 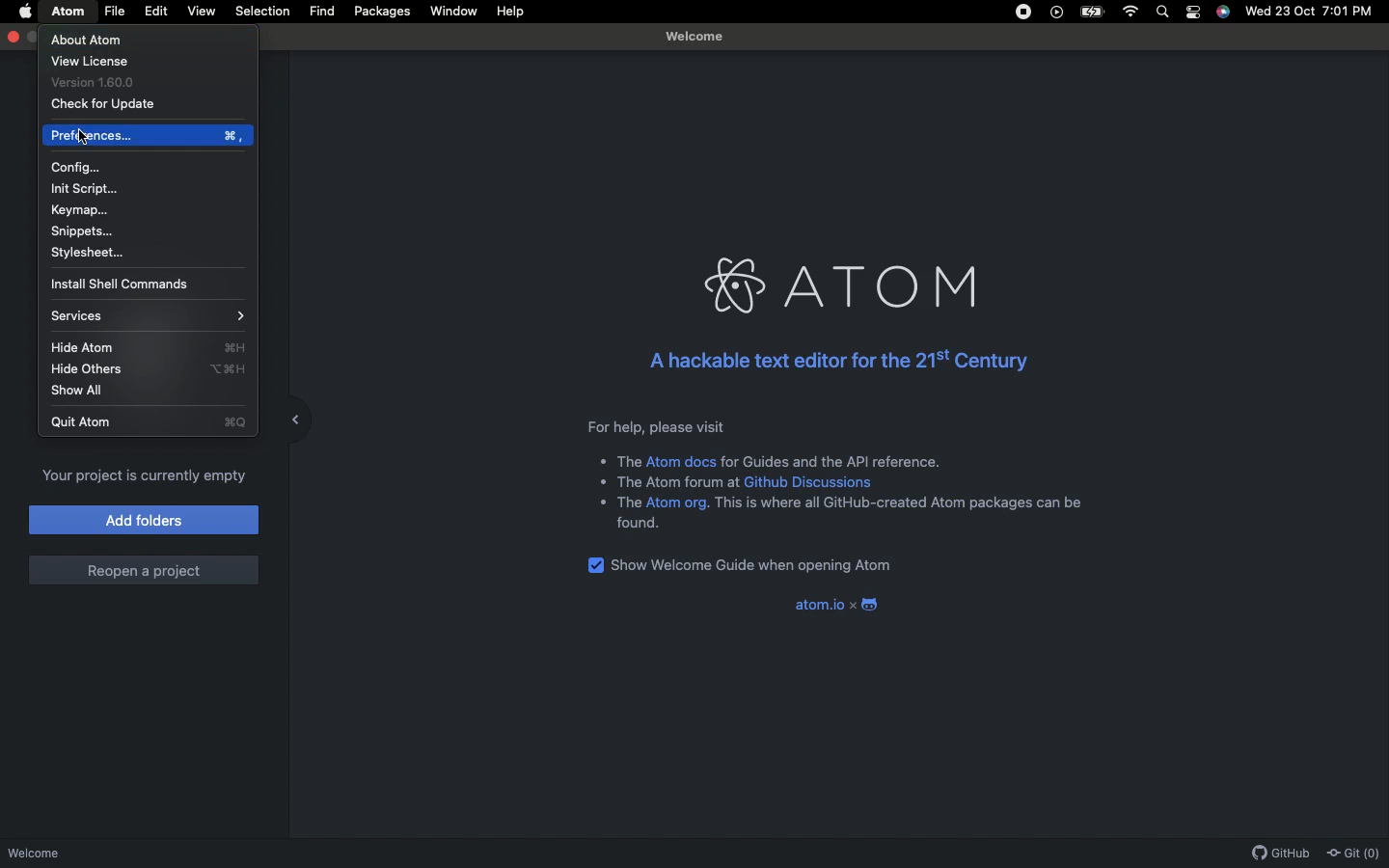 I want to click on Welcome, so click(x=694, y=38).